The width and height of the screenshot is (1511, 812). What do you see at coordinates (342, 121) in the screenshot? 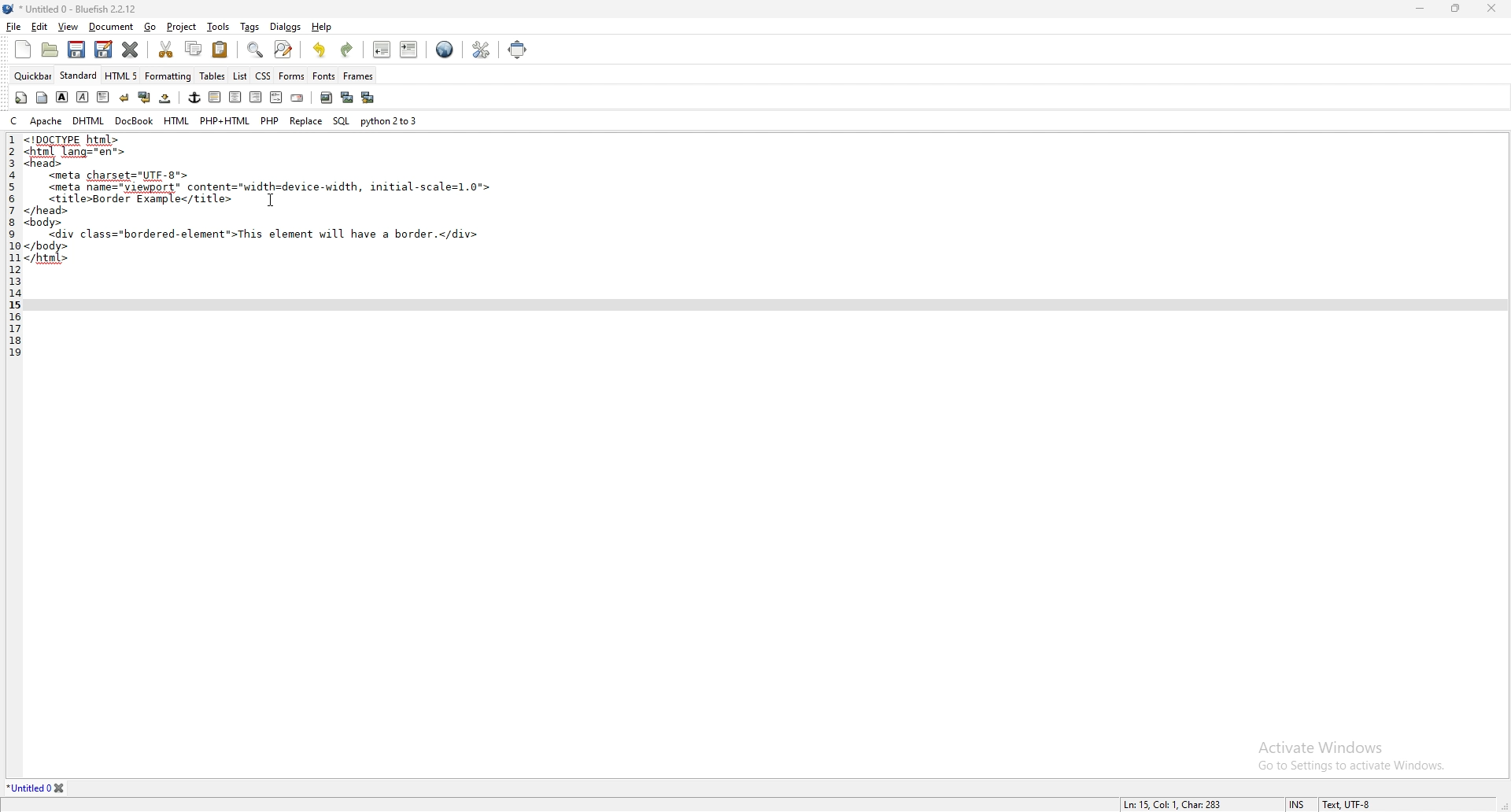
I see `sql` at bounding box center [342, 121].